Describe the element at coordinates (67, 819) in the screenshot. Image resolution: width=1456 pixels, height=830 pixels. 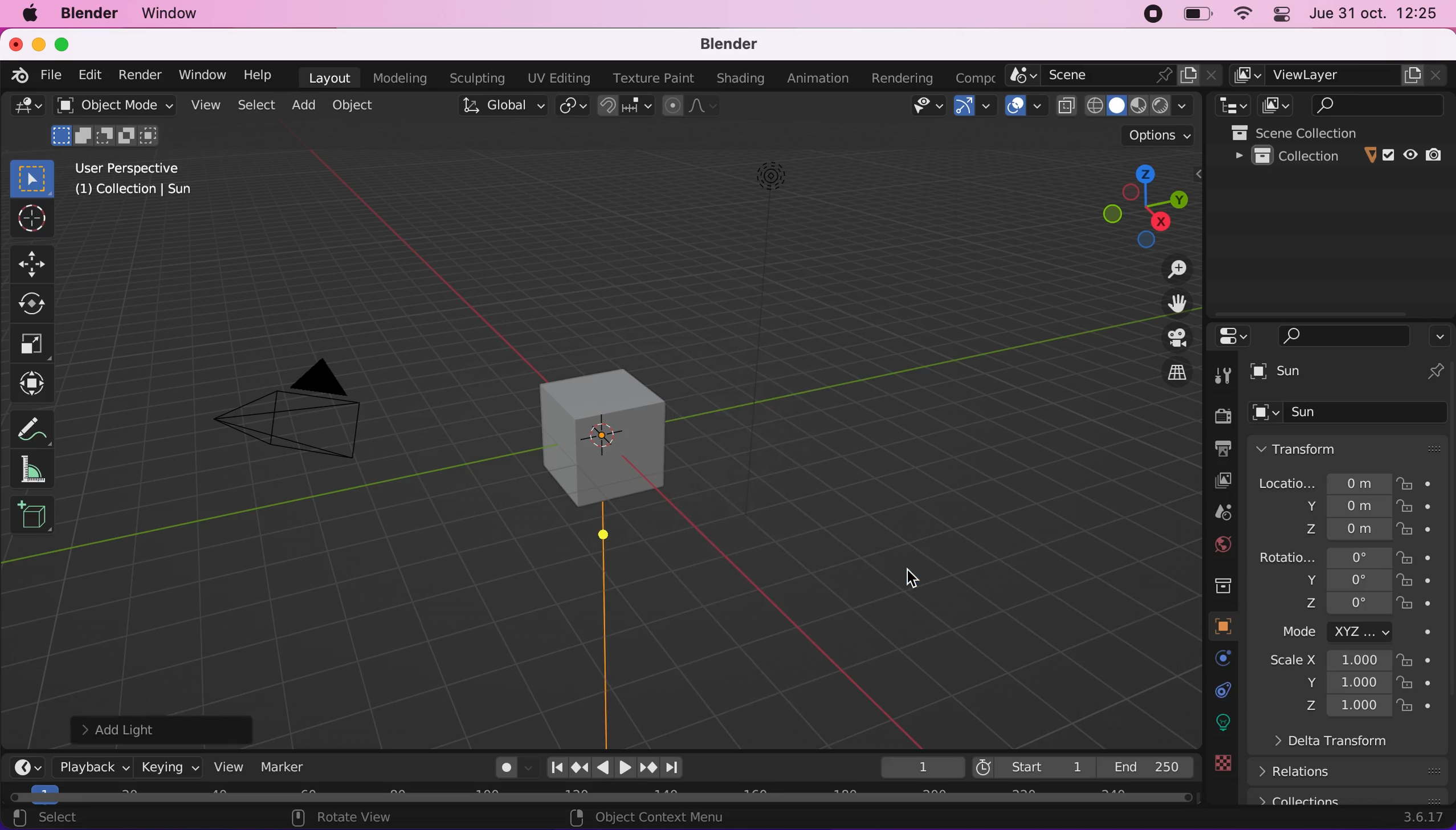
I see `select` at that location.